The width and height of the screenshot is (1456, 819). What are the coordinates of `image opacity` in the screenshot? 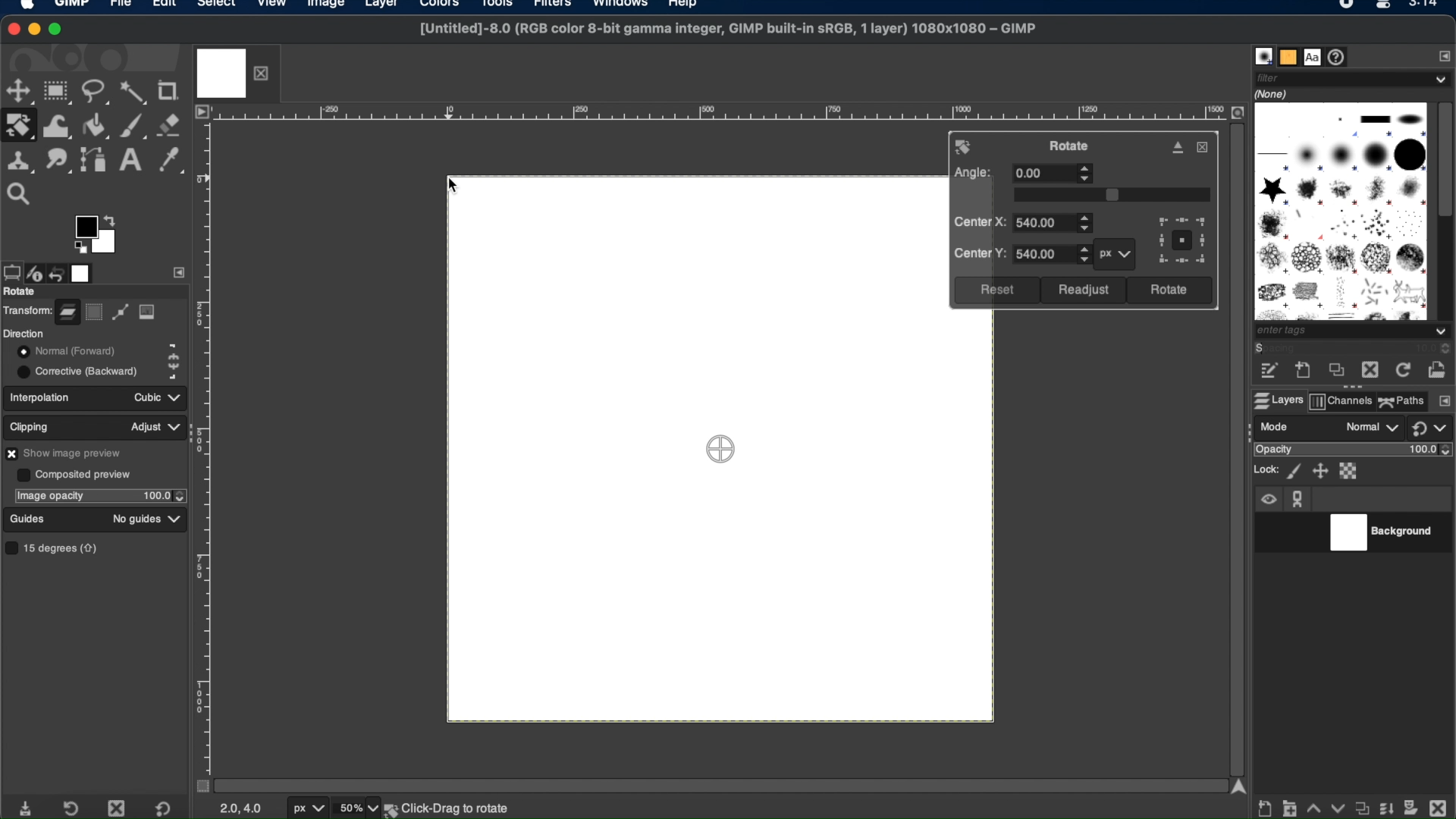 It's located at (49, 496).